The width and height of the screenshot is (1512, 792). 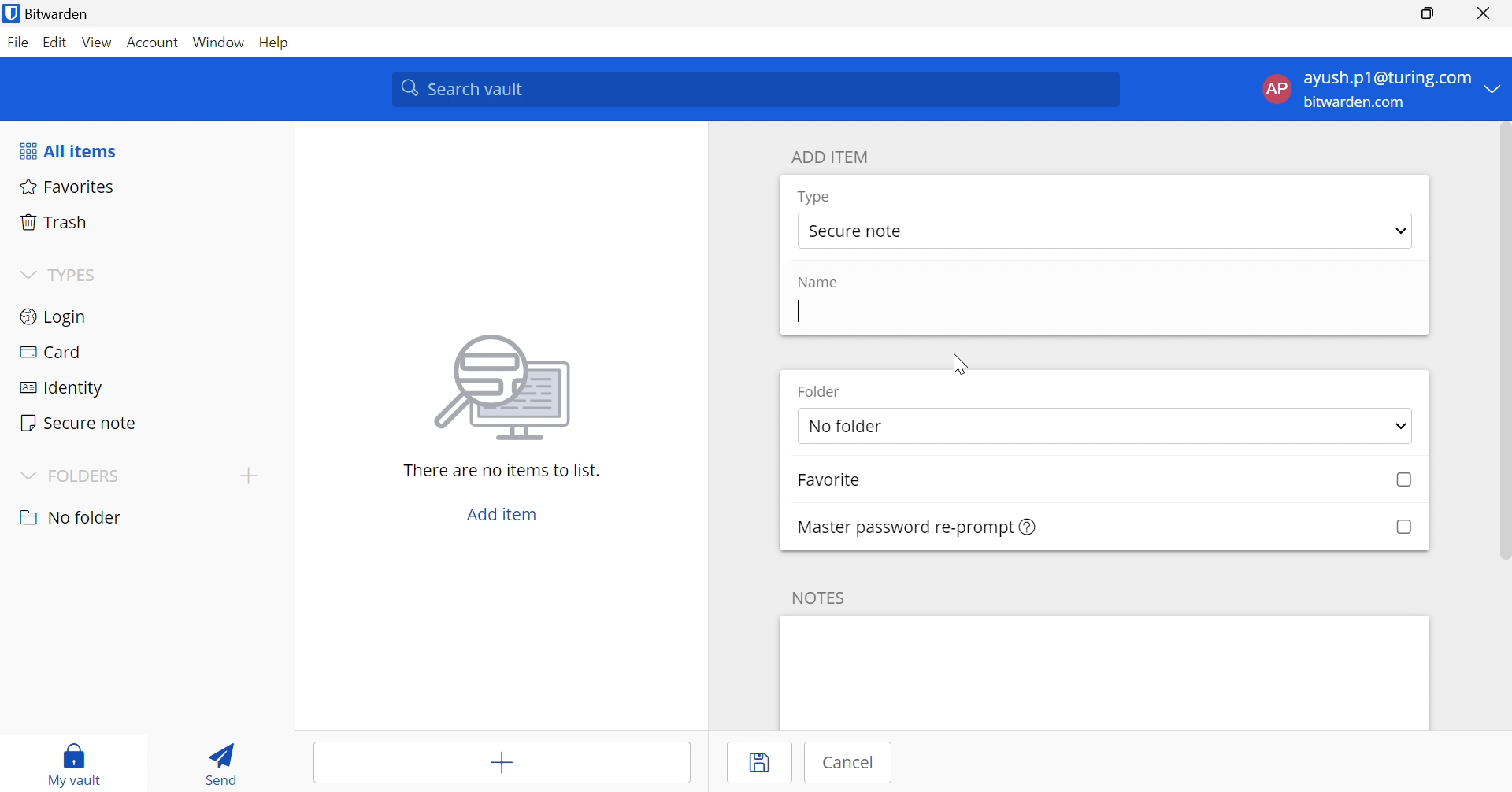 What do you see at coordinates (824, 281) in the screenshot?
I see `` at bounding box center [824, 281].